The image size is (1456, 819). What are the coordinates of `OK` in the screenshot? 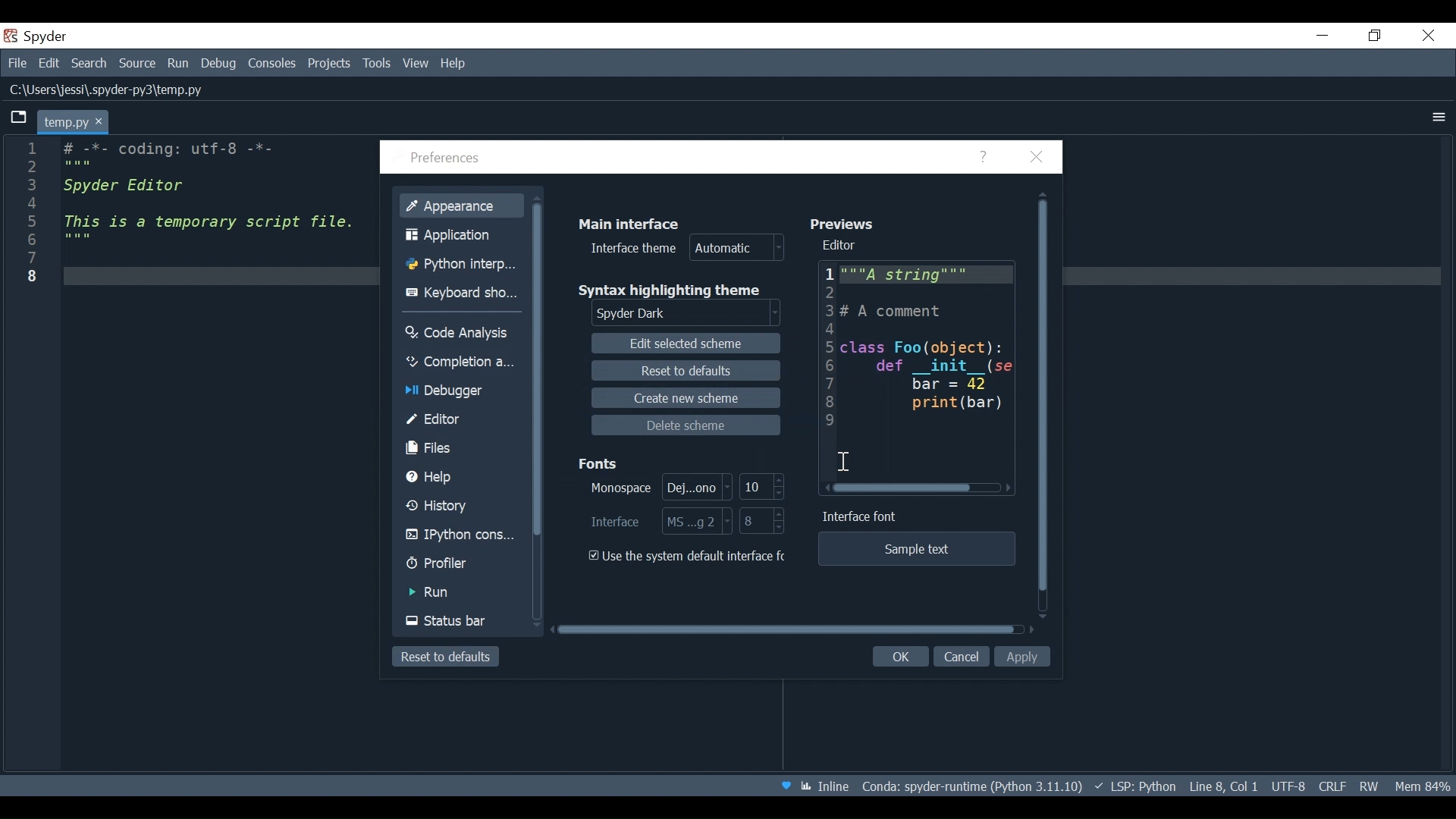 It's located at (898, 657).